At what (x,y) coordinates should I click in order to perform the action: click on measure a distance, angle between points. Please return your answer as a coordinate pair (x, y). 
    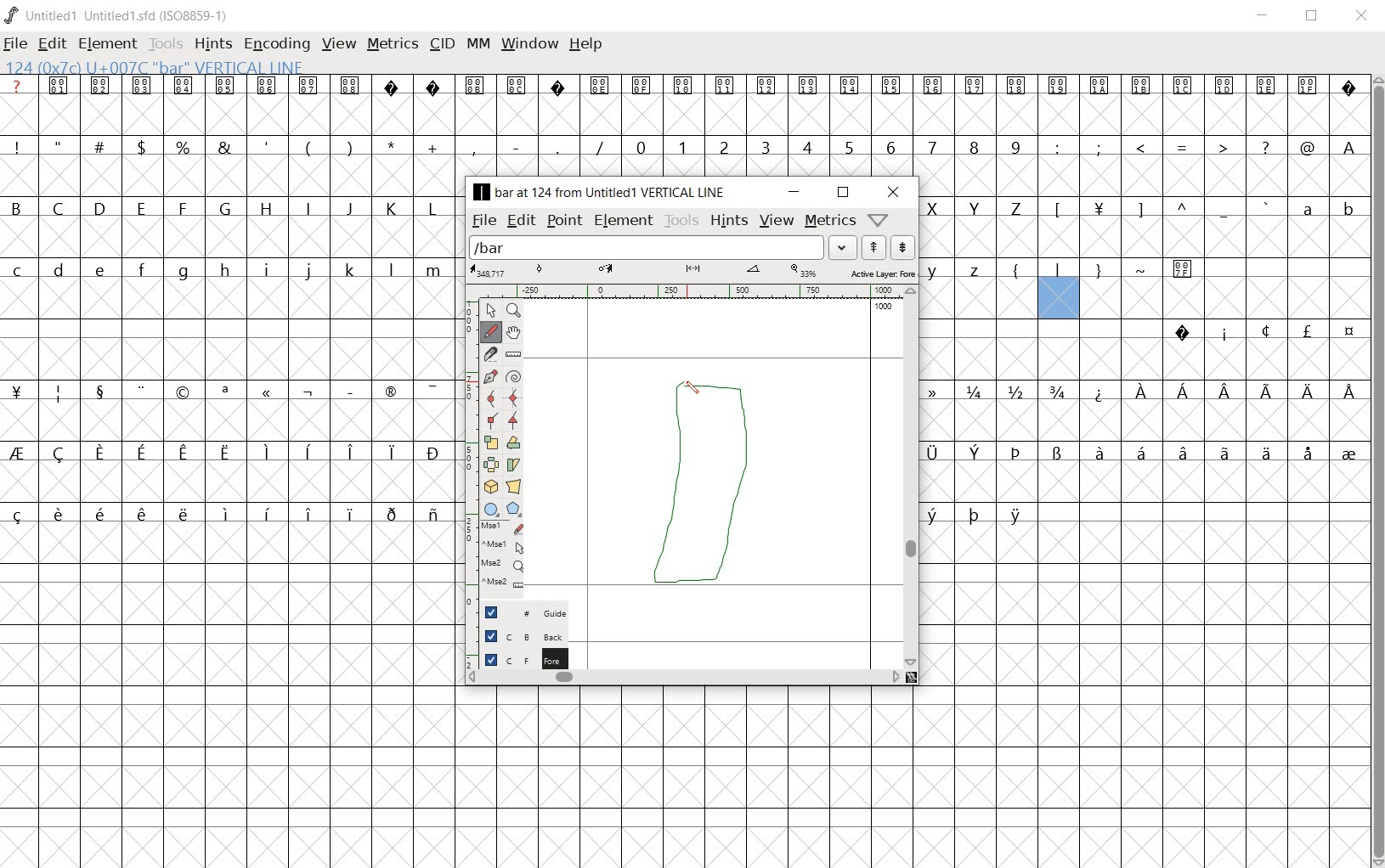
    Looking at the image, I should click on (514, 355).